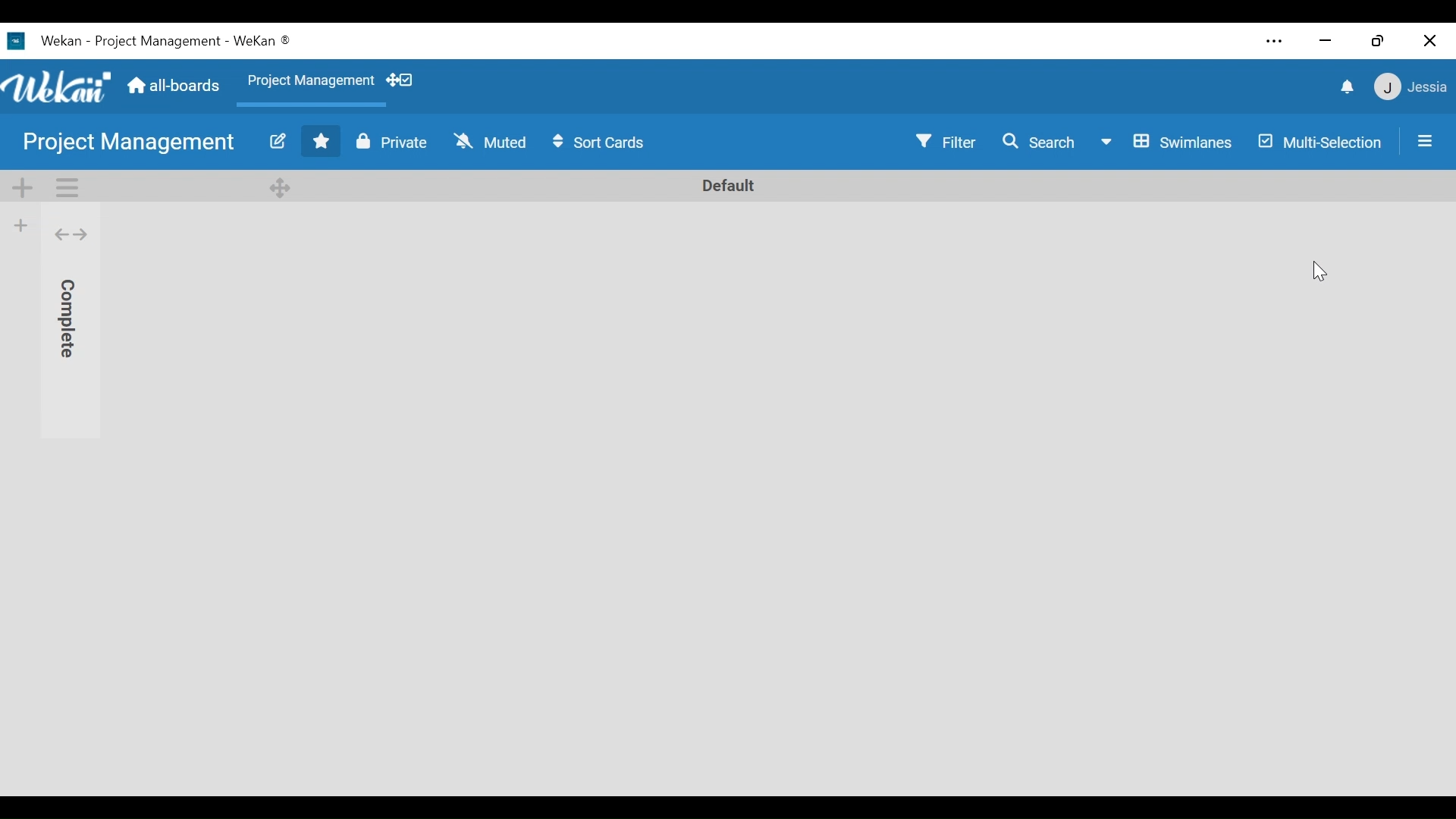 The height and width of the screenshot is (819, 1456). Describe the element at coordinates (67, 313) in the screenshot. I see `List Title` at that location.